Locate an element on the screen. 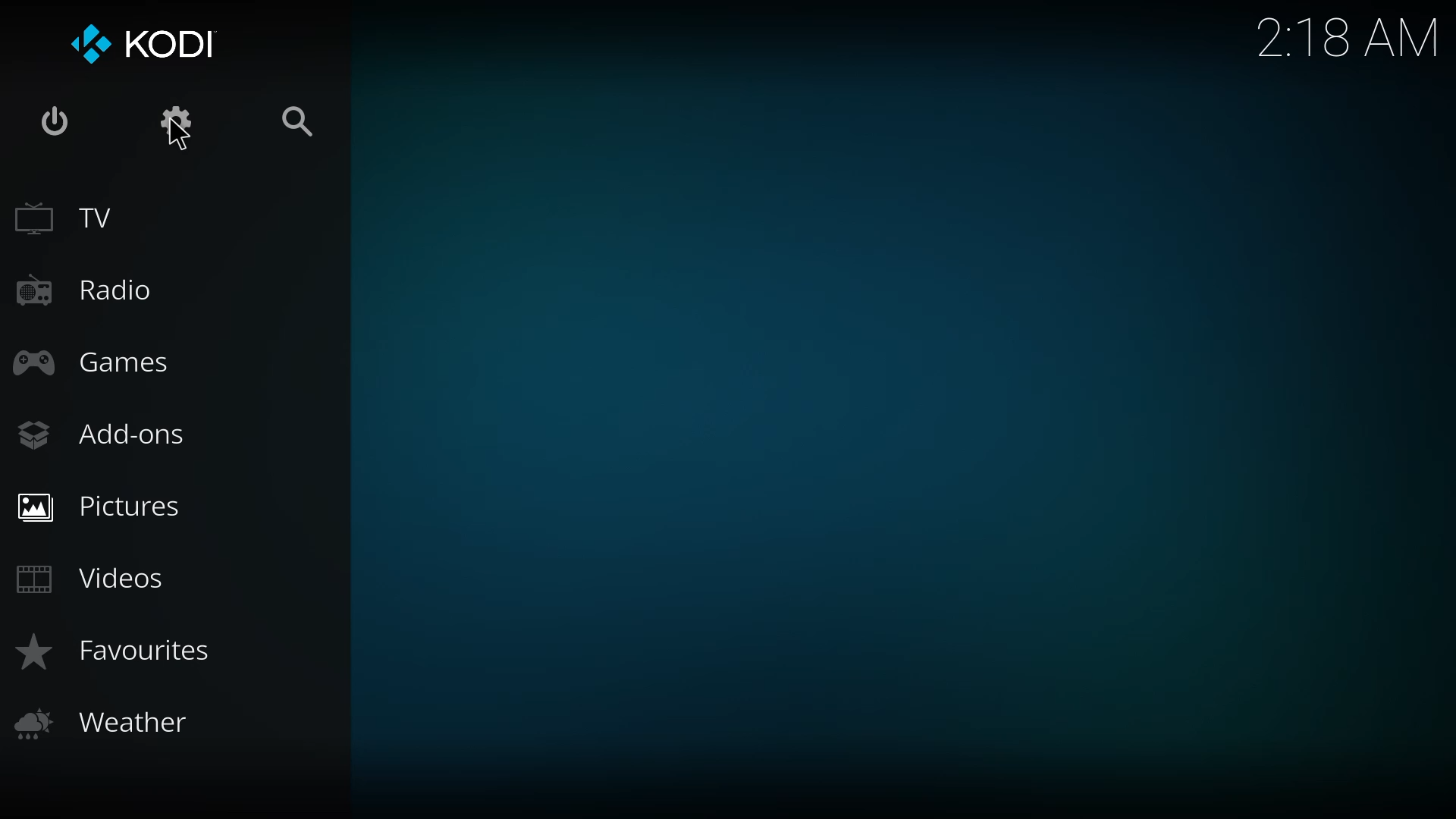  favorites is located at coordinates (117, 651).